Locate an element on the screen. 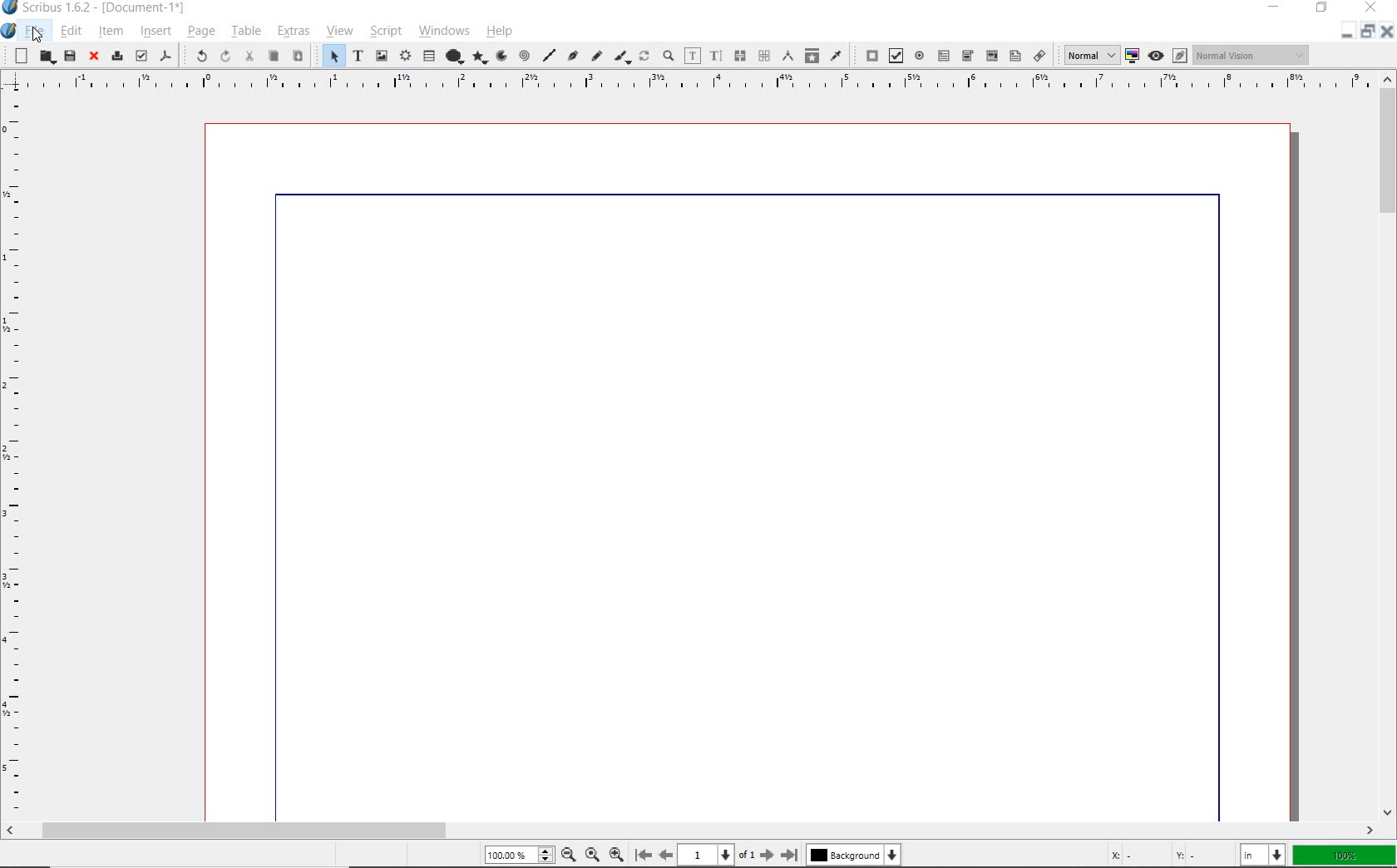 The width and height of the screenshot is (1397, 868). save is located at coordinates (69, 57).